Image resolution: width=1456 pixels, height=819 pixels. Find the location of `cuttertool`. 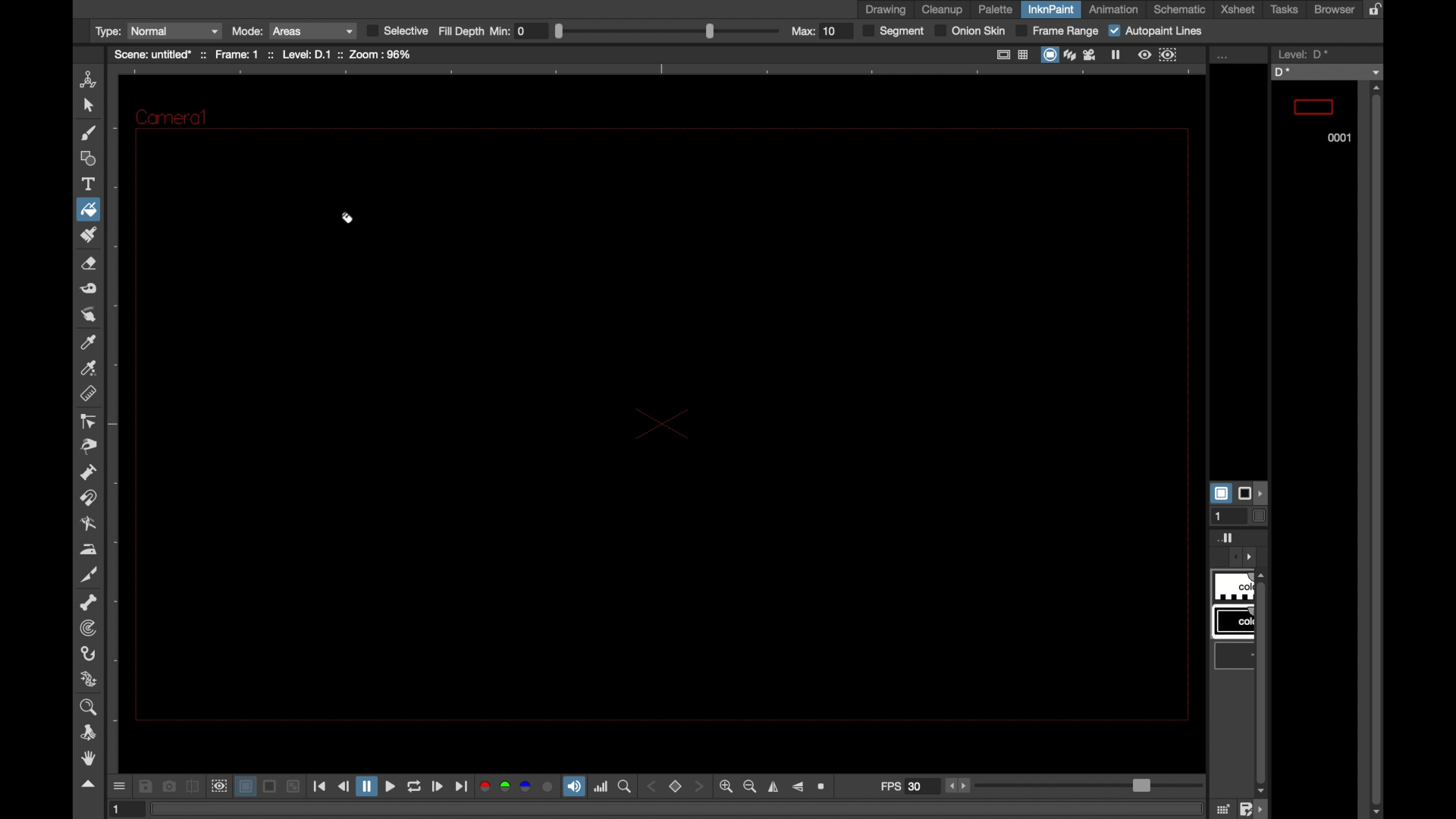

cuttertool is located at coordinates (90, 575).